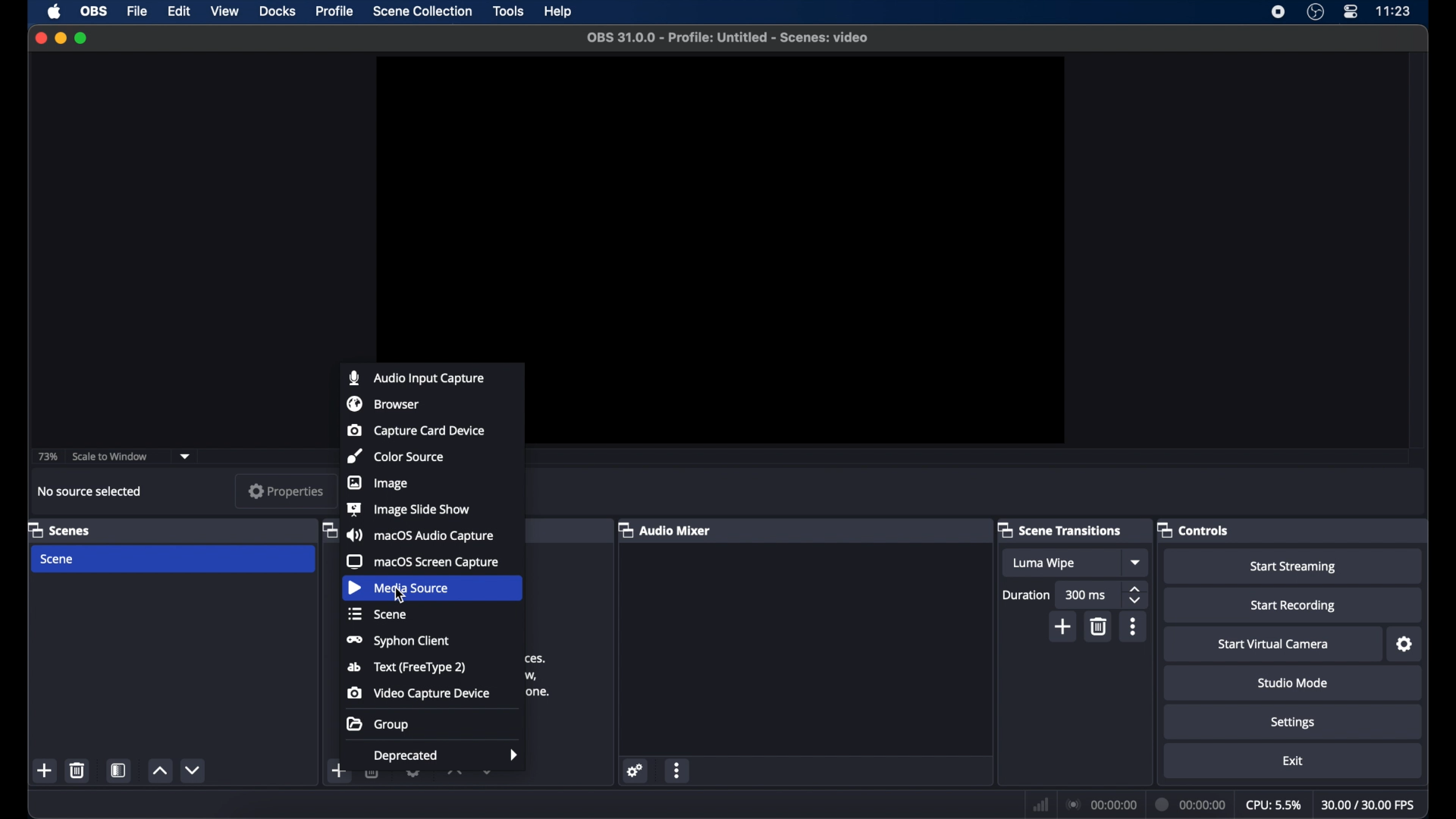  What do you see at coordinates (137, 12) in the screenshot?
I see `file` at bounding box center [137, 12].